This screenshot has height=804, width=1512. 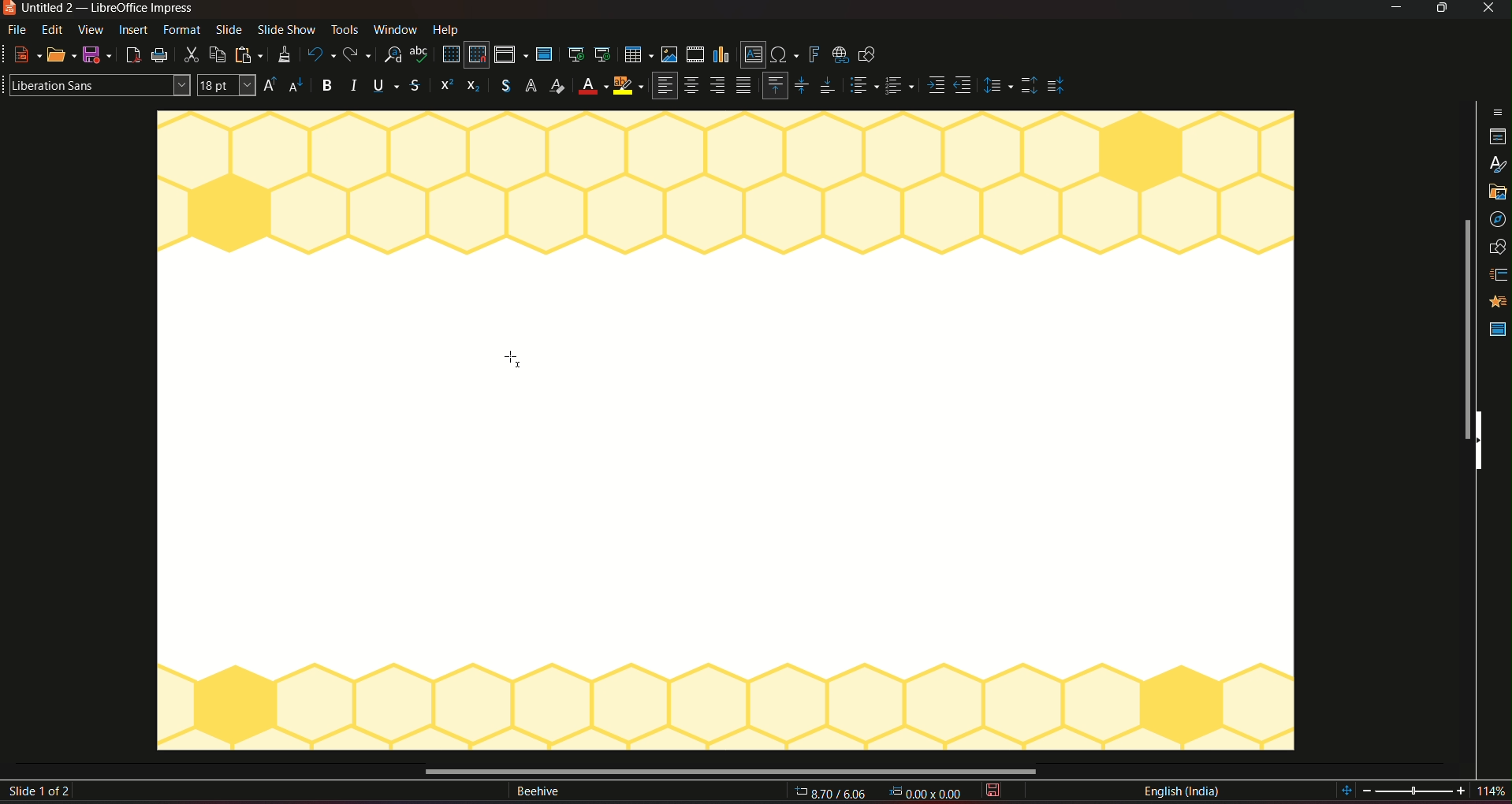 I want to click on language, so click(x=1181, y=791).